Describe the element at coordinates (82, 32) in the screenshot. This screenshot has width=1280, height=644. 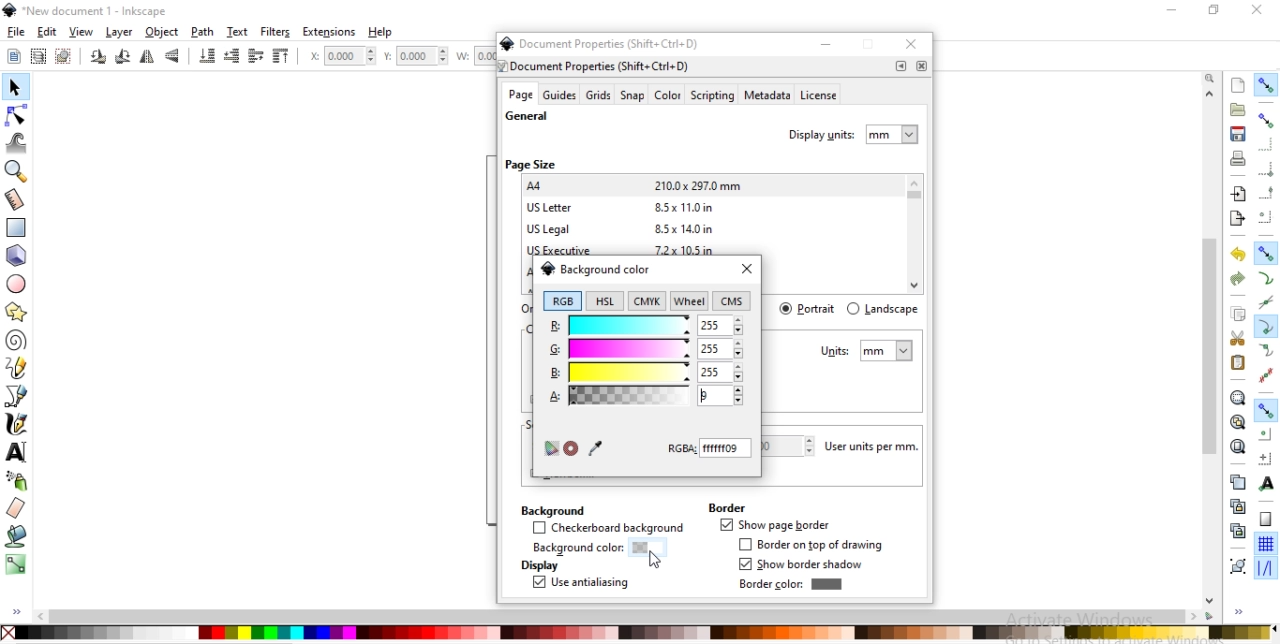
I see `view` at that location.